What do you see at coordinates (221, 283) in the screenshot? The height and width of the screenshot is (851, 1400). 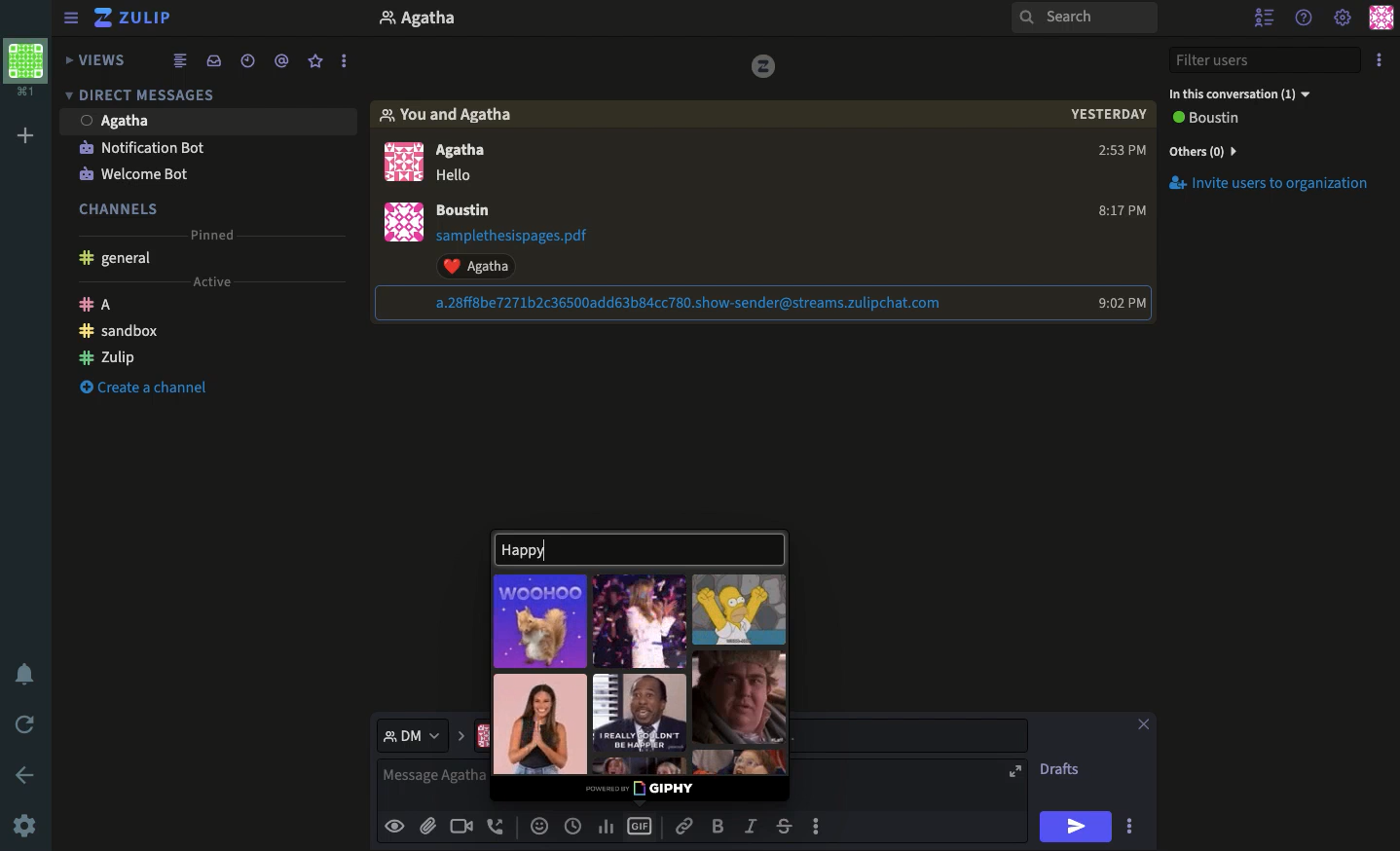 I see `Active` at bounding box center [221, 283].